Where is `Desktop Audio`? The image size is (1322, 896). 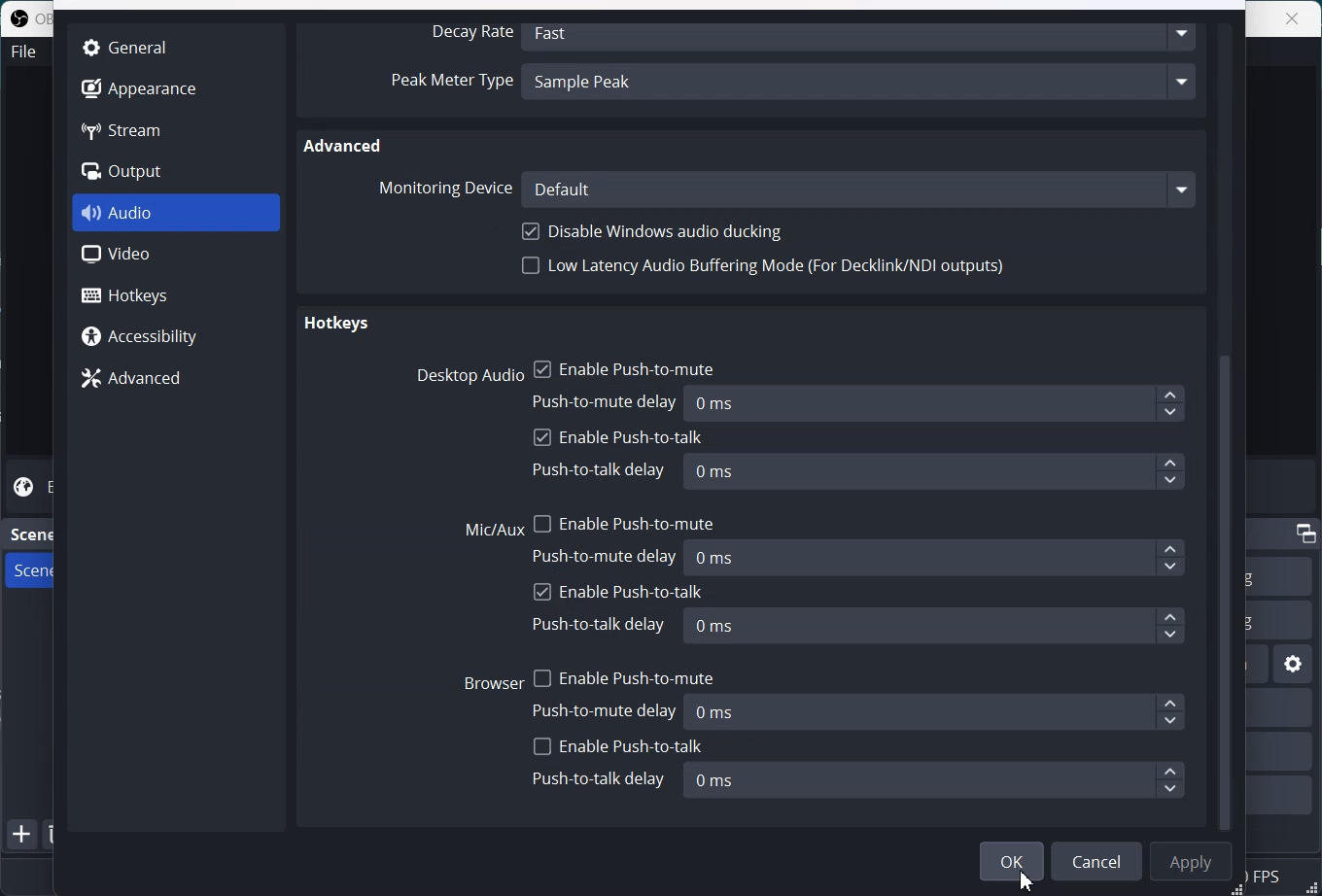
Desktop Audio is located at coordinates (466, 375).